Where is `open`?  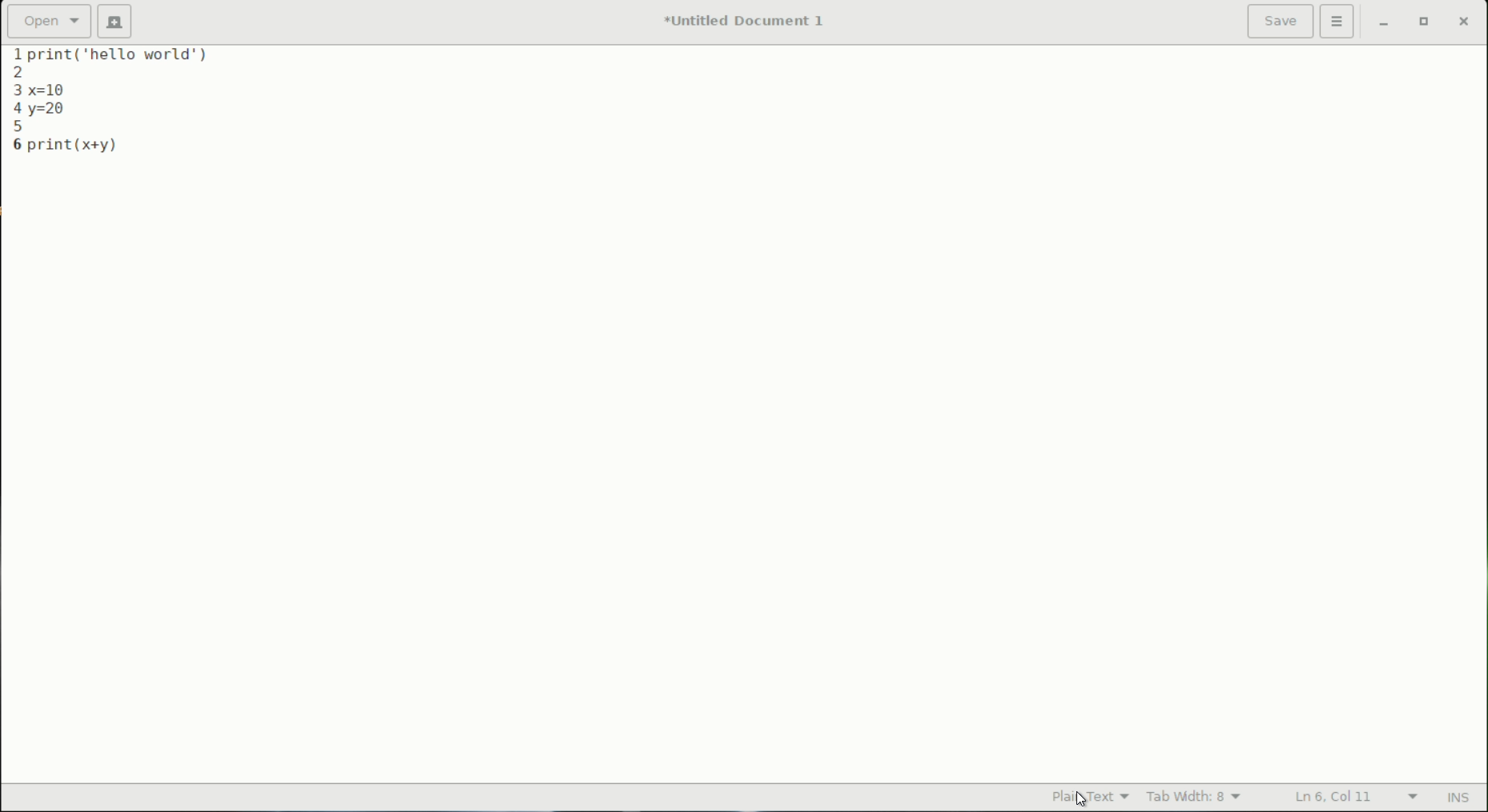 open is located at coordinates (50, 20).